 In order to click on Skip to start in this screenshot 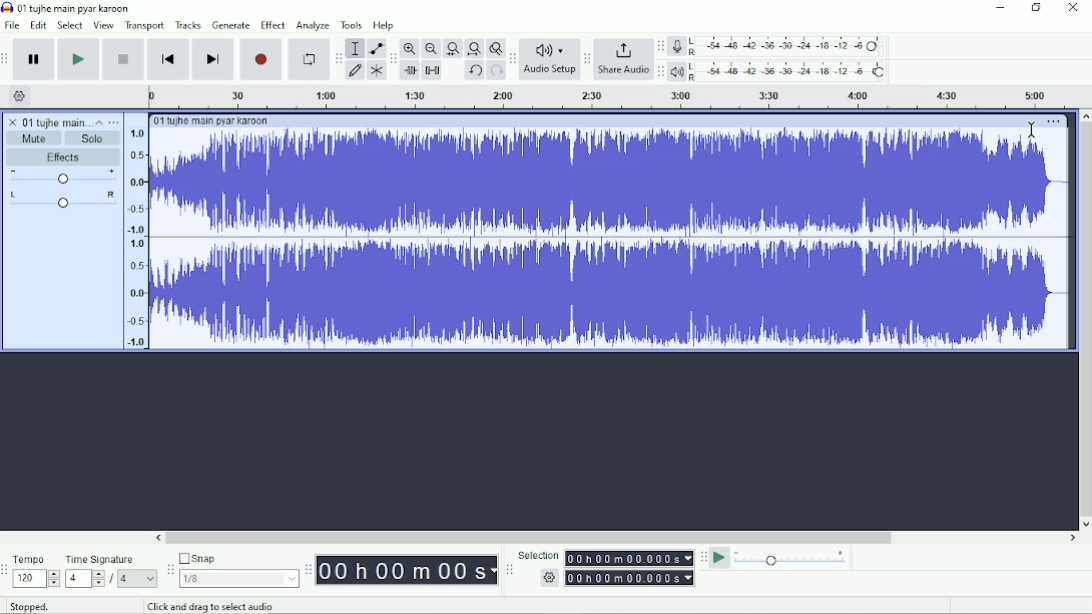, I will do `click(168, 60)`.